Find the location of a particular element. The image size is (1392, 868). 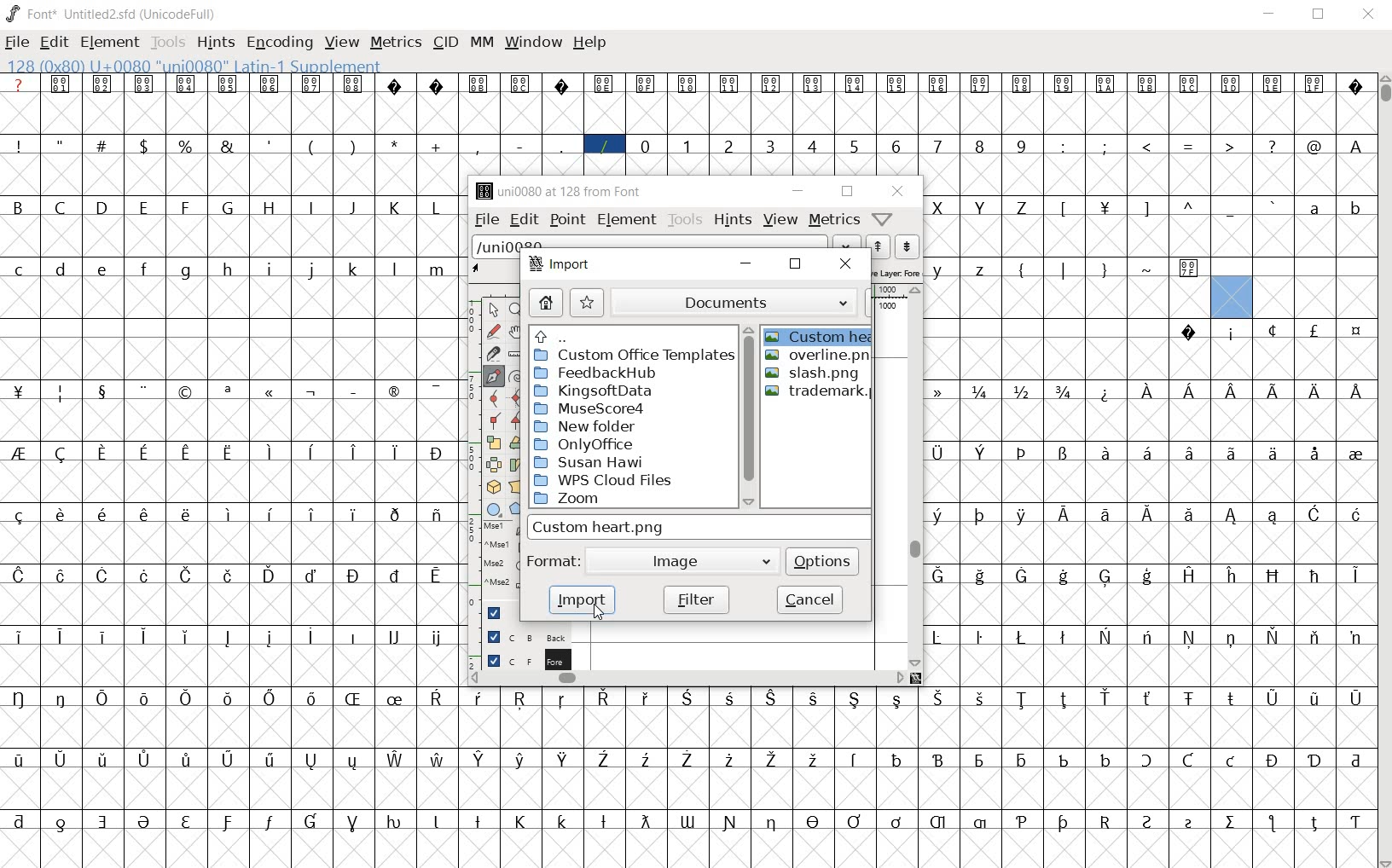

glyph is located at coordinates (19, 391).